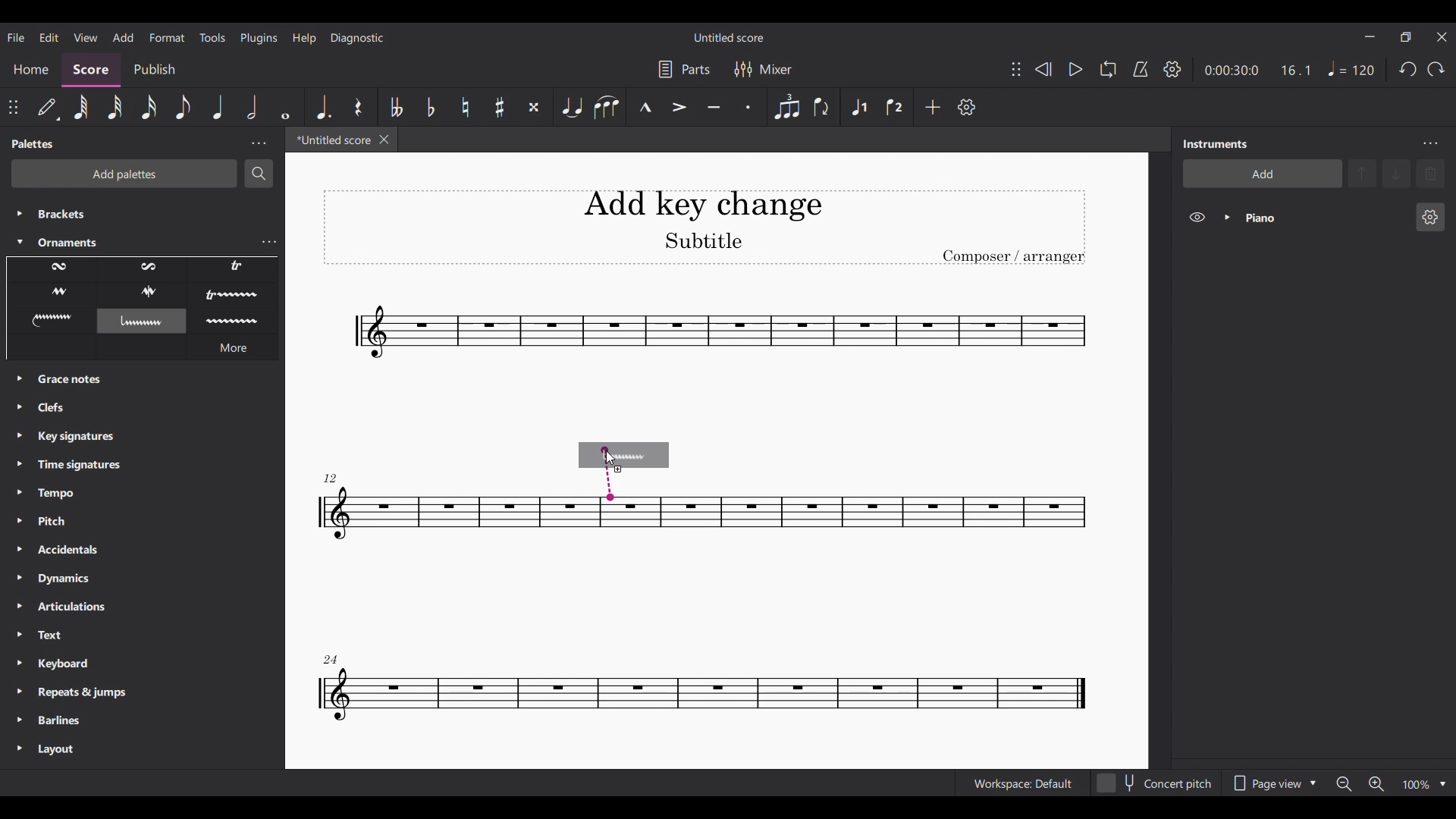  Describe the element at coordinates (358, 107) in the screenshot. I see `Rest` at that location.